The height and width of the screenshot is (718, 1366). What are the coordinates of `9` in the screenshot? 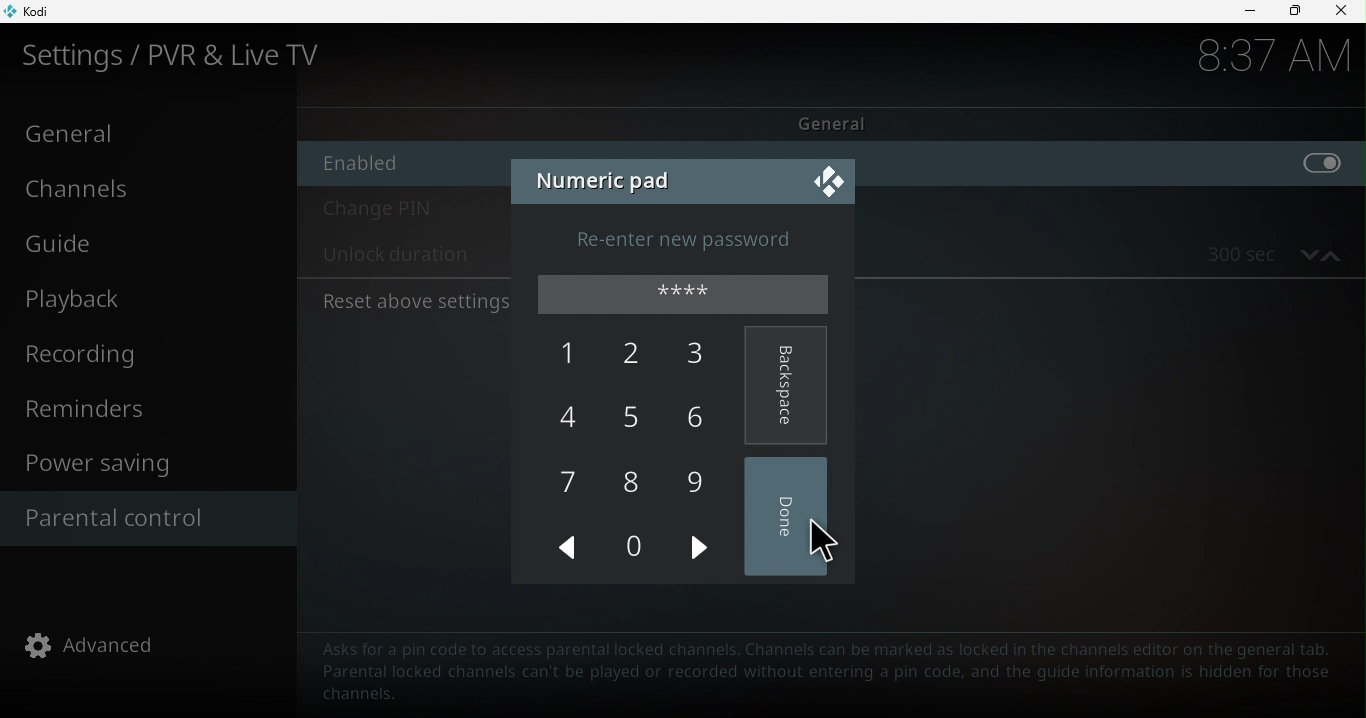 It's located at (699, 479).